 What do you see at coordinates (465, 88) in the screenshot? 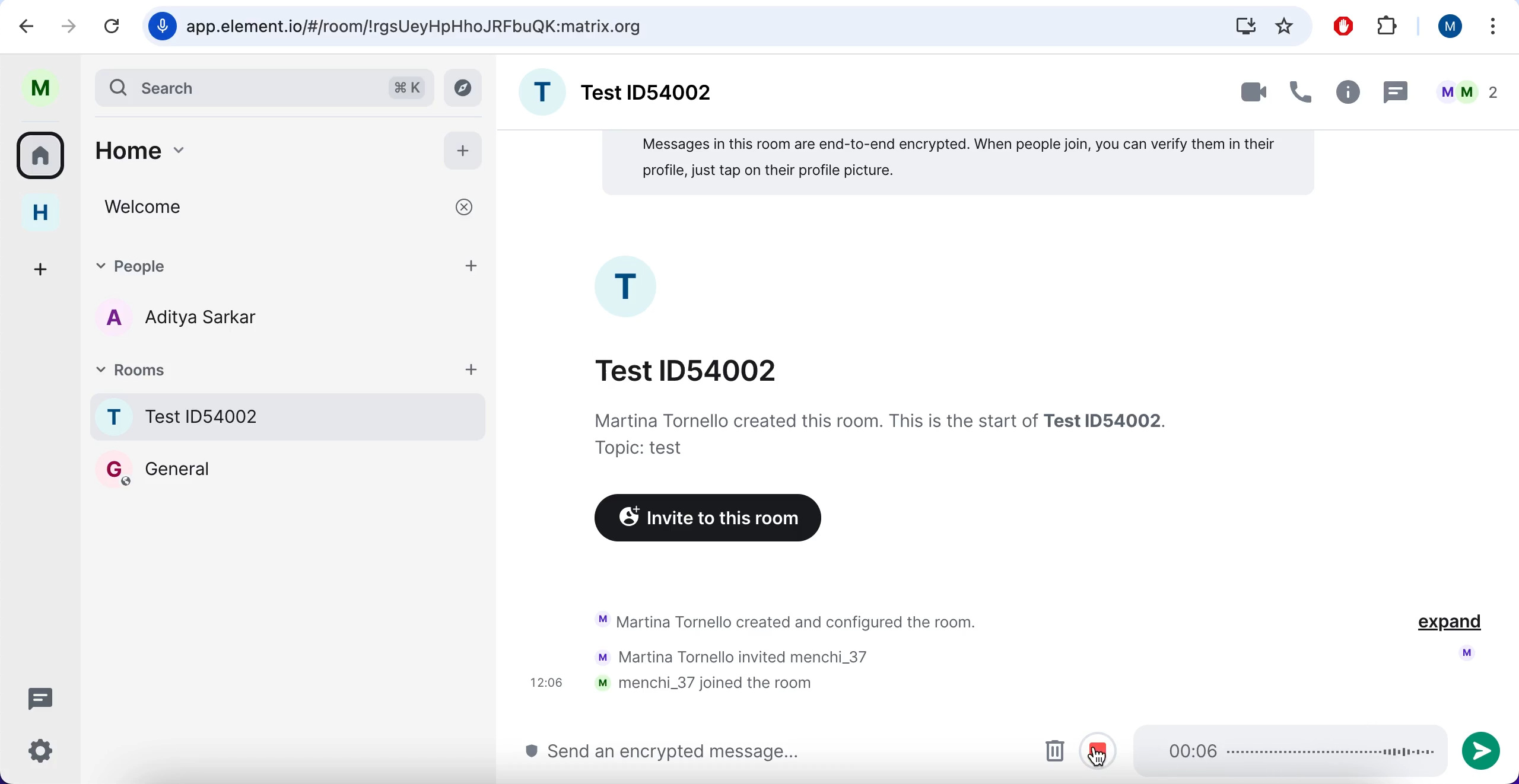
I see `explore rooms` at bounding box center [465, 88].